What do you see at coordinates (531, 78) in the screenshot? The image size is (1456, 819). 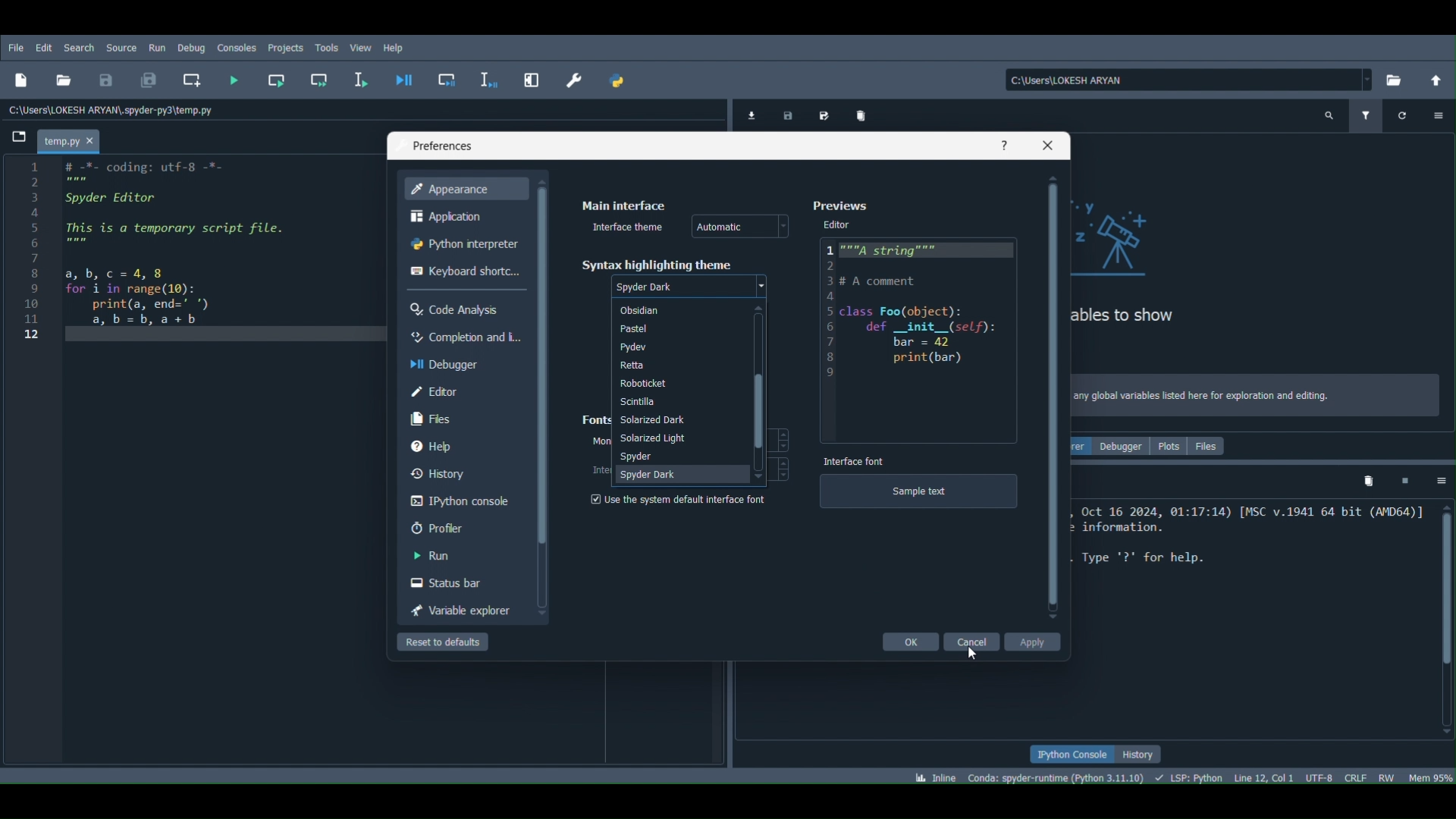 I see `Maximize current pane (Ctrl + Alt + Shift + M)` at bounding box center [531, 78].